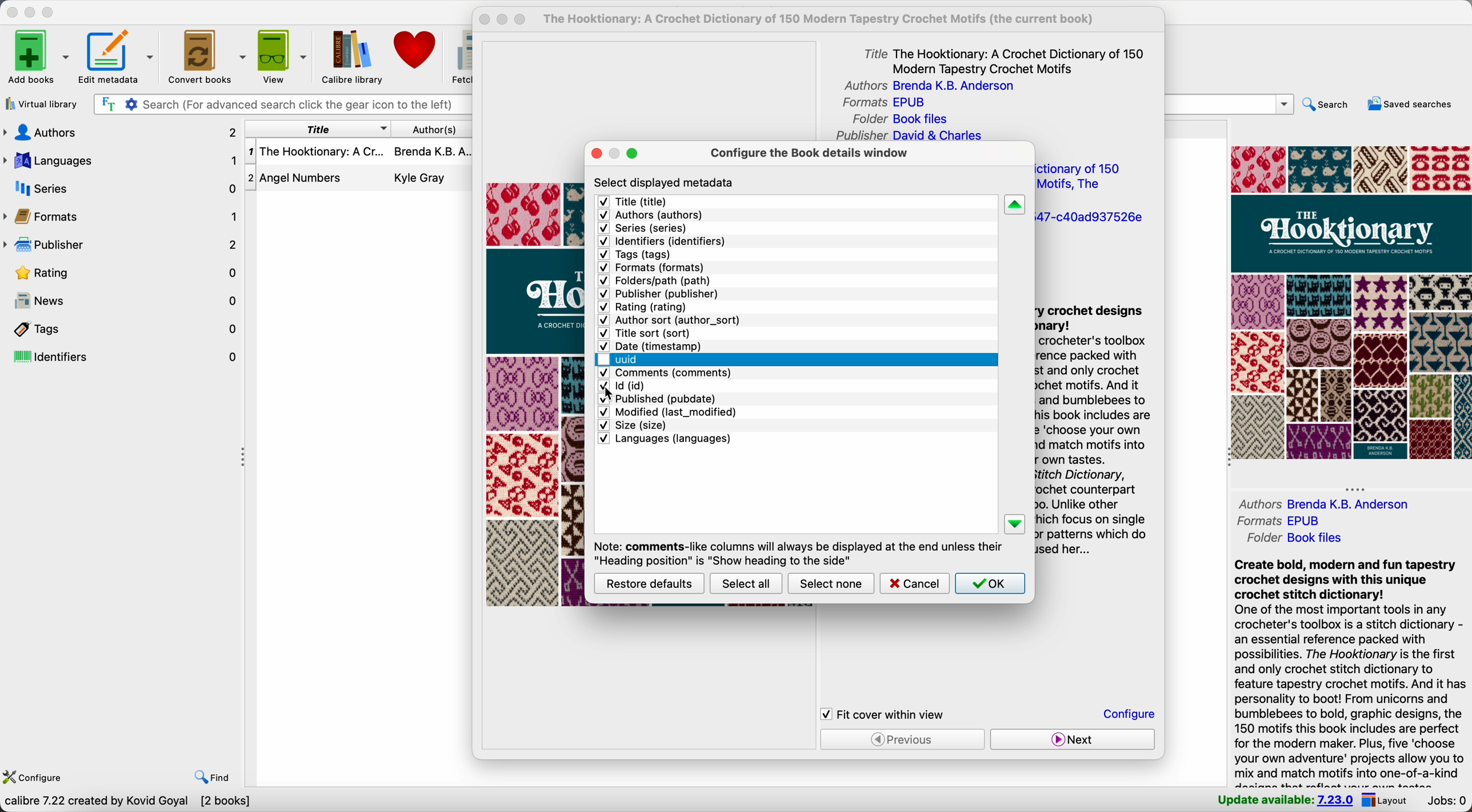 Image resolution: width=1472 pixels, height=812 pixels. What do you see at coordinates (1230, 104) in the screenshot?
I see `search bar` at bounding box center [1230, 104].